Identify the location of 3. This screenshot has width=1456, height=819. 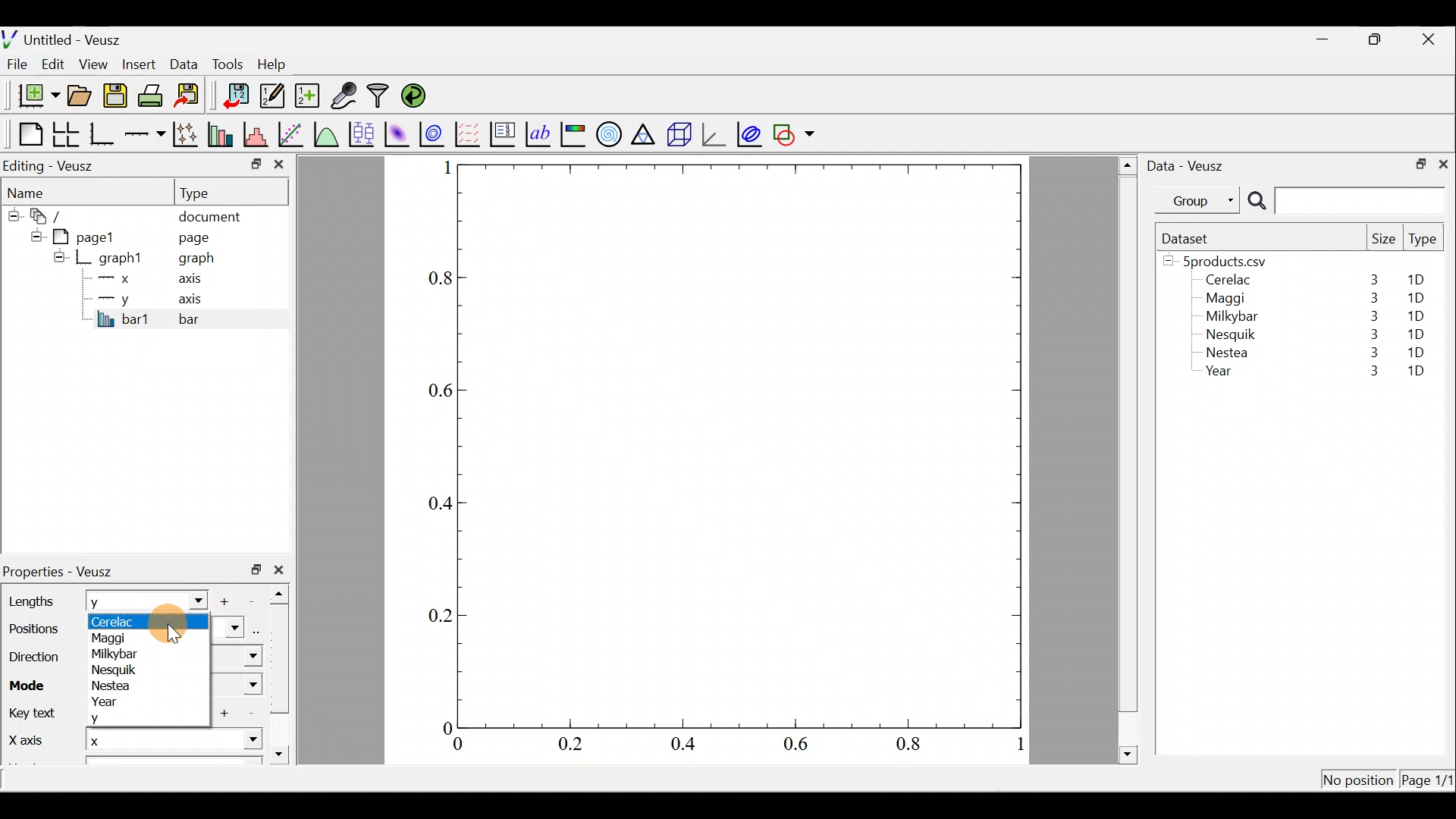
(1373, 279).